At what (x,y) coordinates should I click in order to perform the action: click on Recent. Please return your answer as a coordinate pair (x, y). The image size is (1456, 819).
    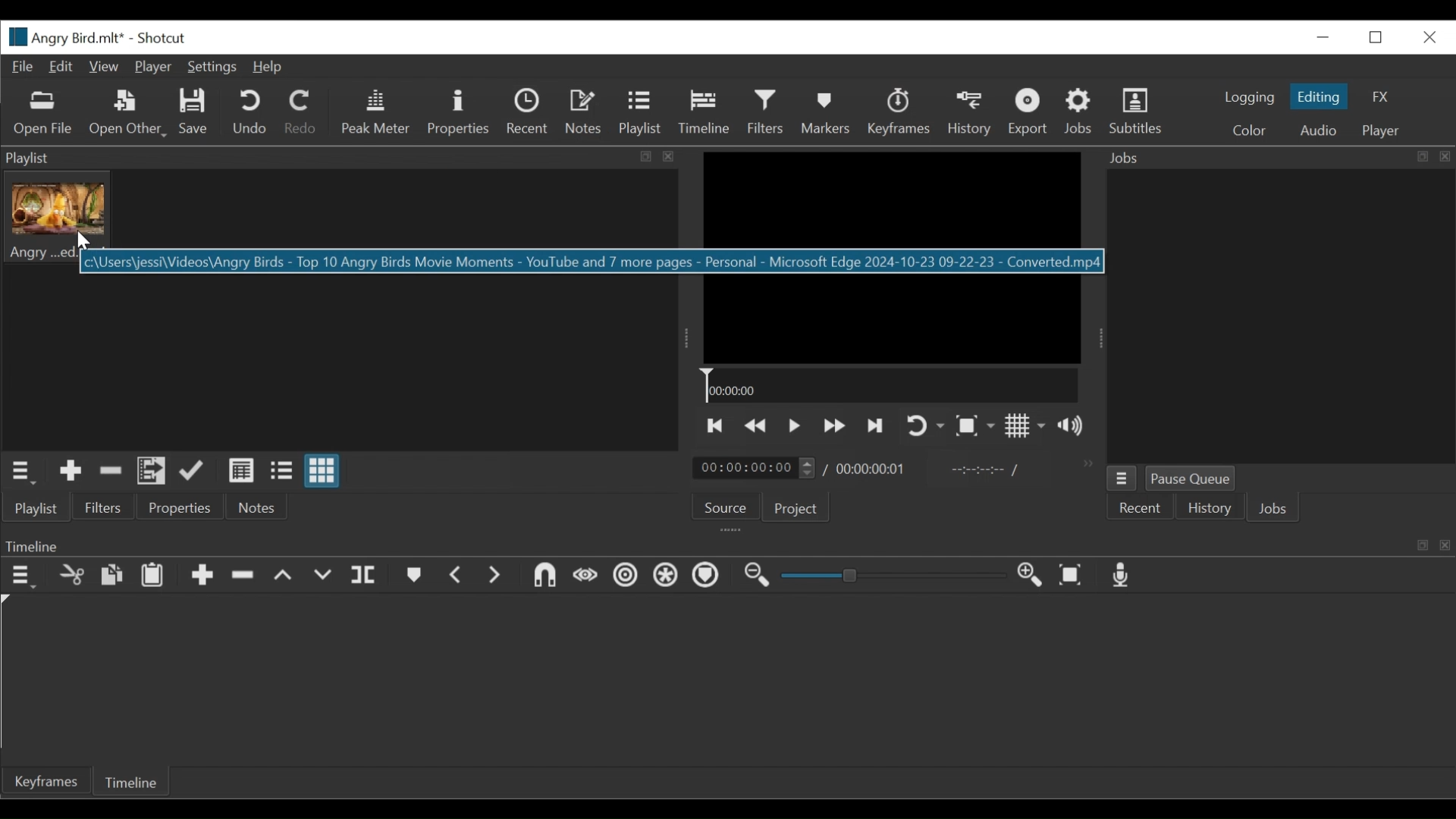
    Looking at the image, I should click on (1140, 509).